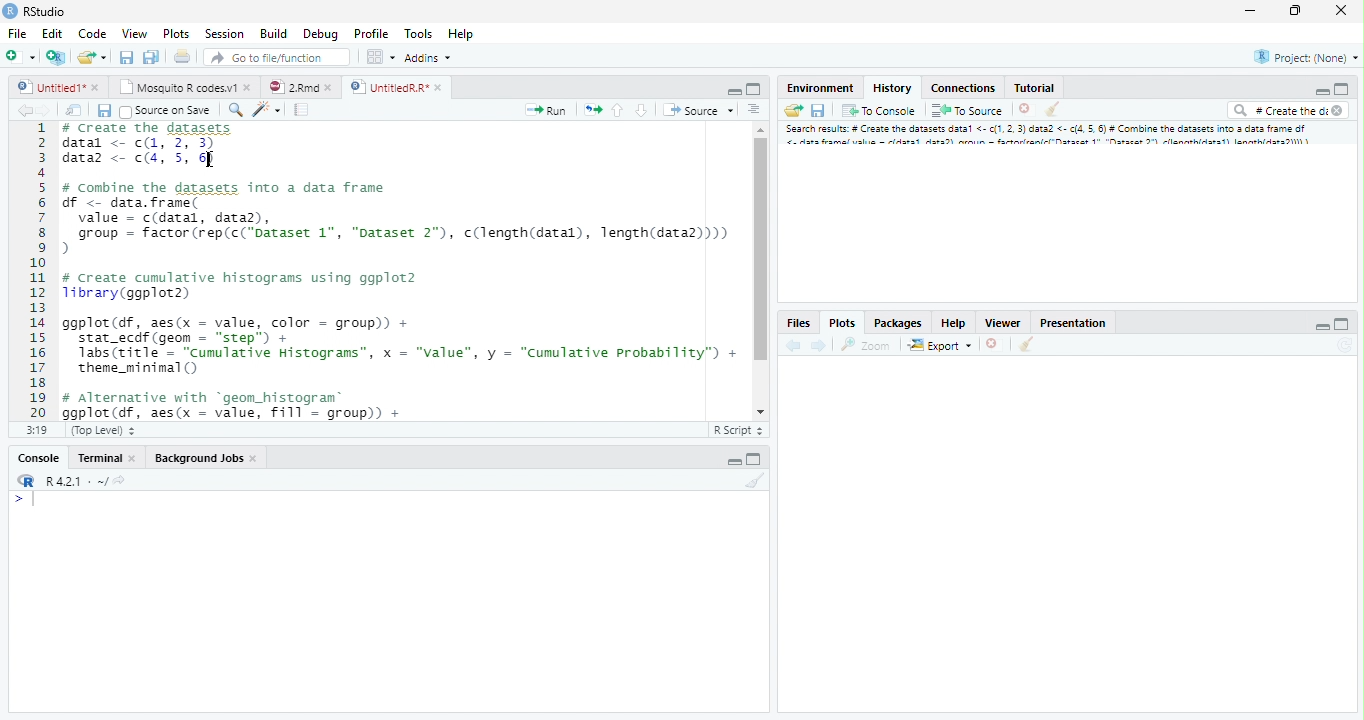  I want to click on Minimize, so click(1319, 325).